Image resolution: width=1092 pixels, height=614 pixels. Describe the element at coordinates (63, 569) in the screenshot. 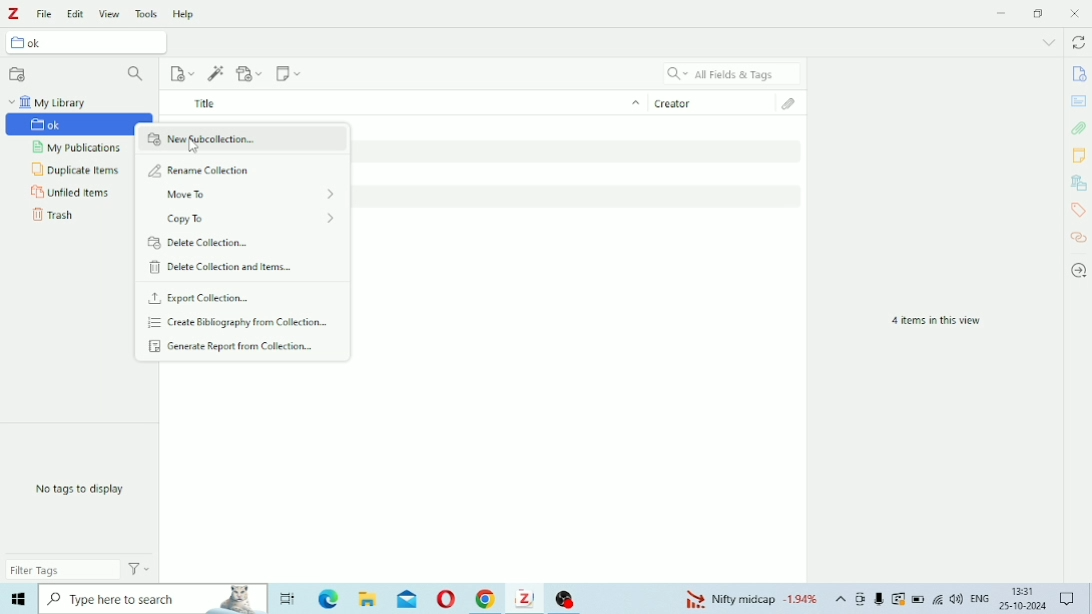

I see `Filter Tags` at that location.